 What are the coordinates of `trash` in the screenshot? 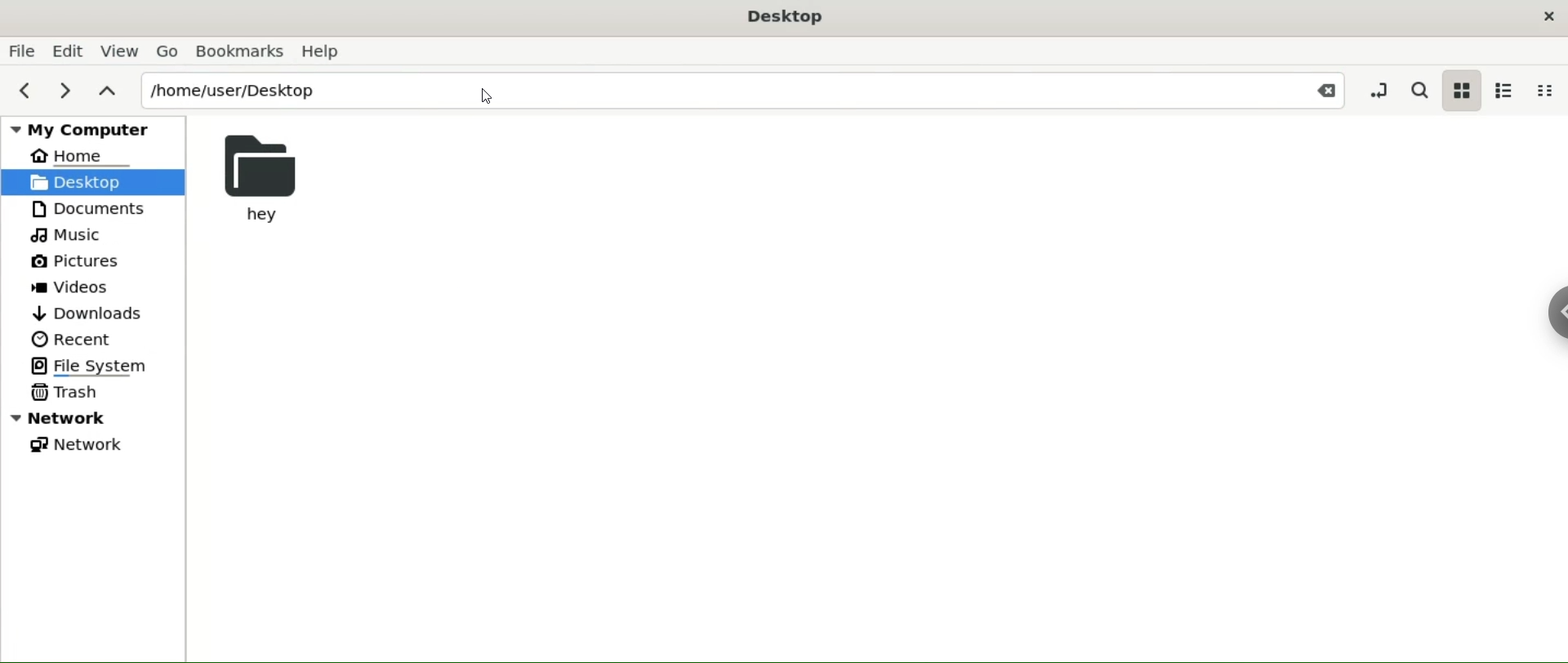 It's located at (65, 393).